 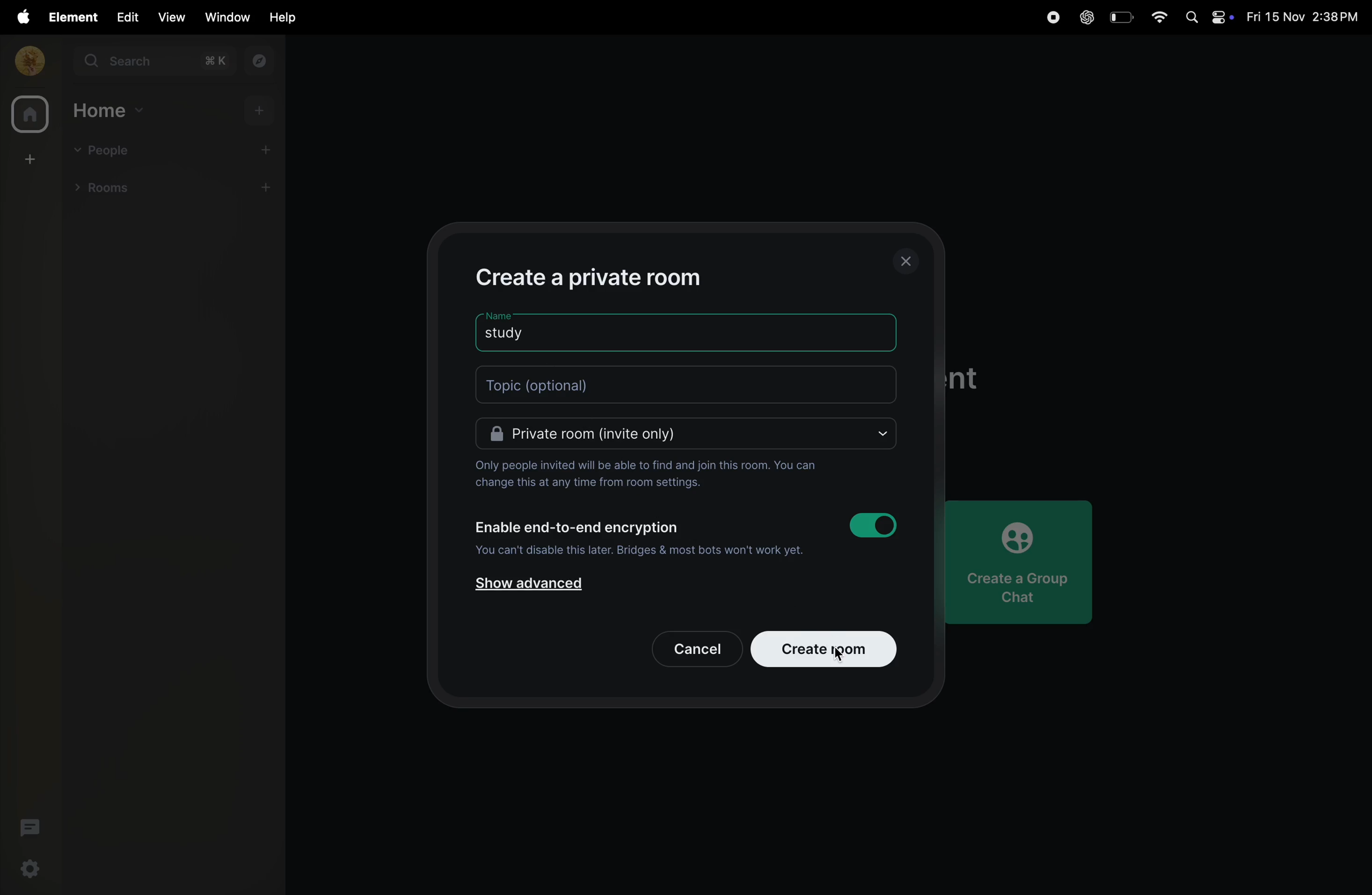 What do you see at coordinates (125, 16) in the screenshot?
I see `edit` at bounding box center [125, 16].